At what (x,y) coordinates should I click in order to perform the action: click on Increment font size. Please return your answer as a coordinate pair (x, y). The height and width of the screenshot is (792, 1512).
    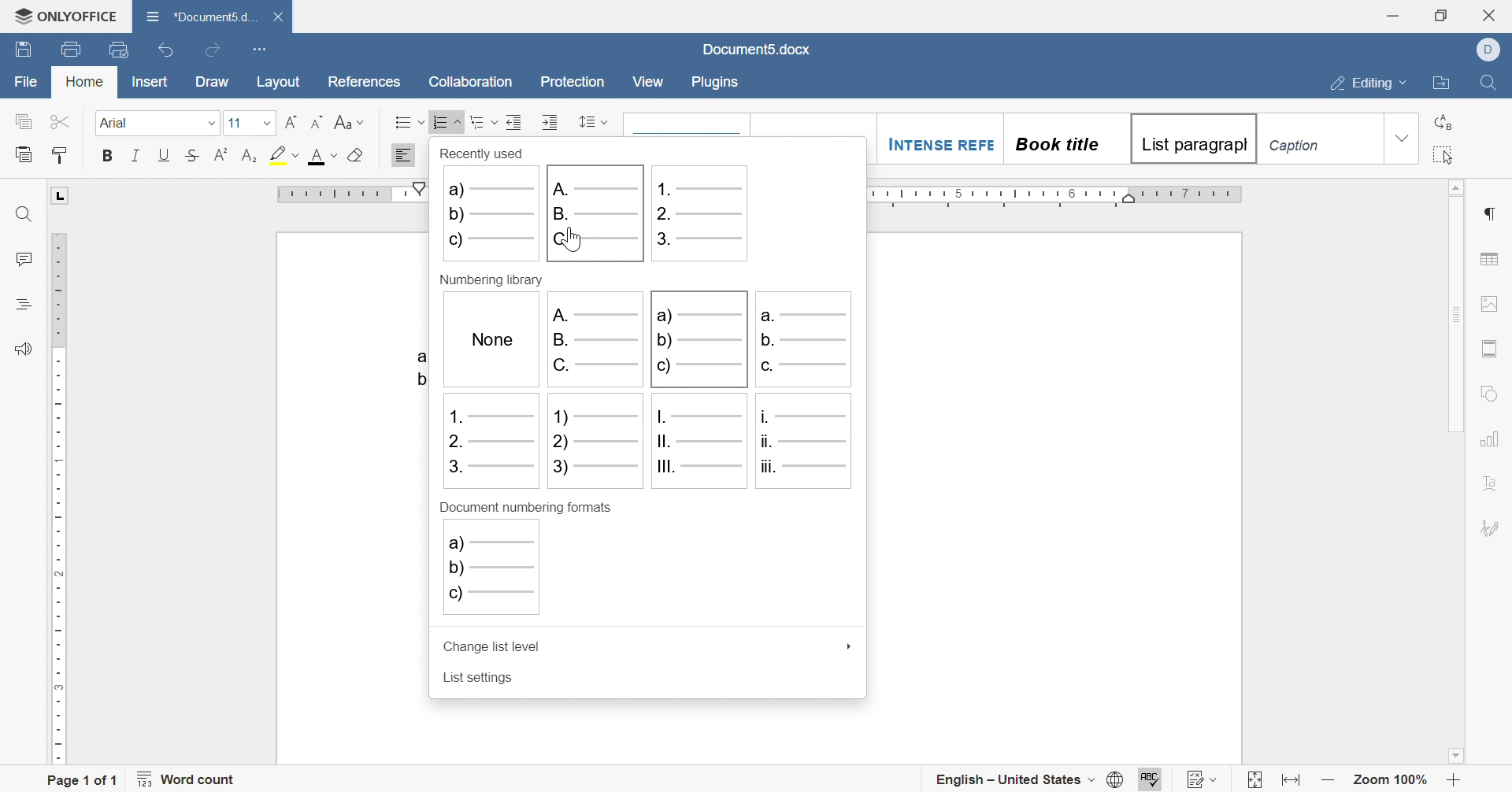
    Looking at the image, I should click on (292, 123).